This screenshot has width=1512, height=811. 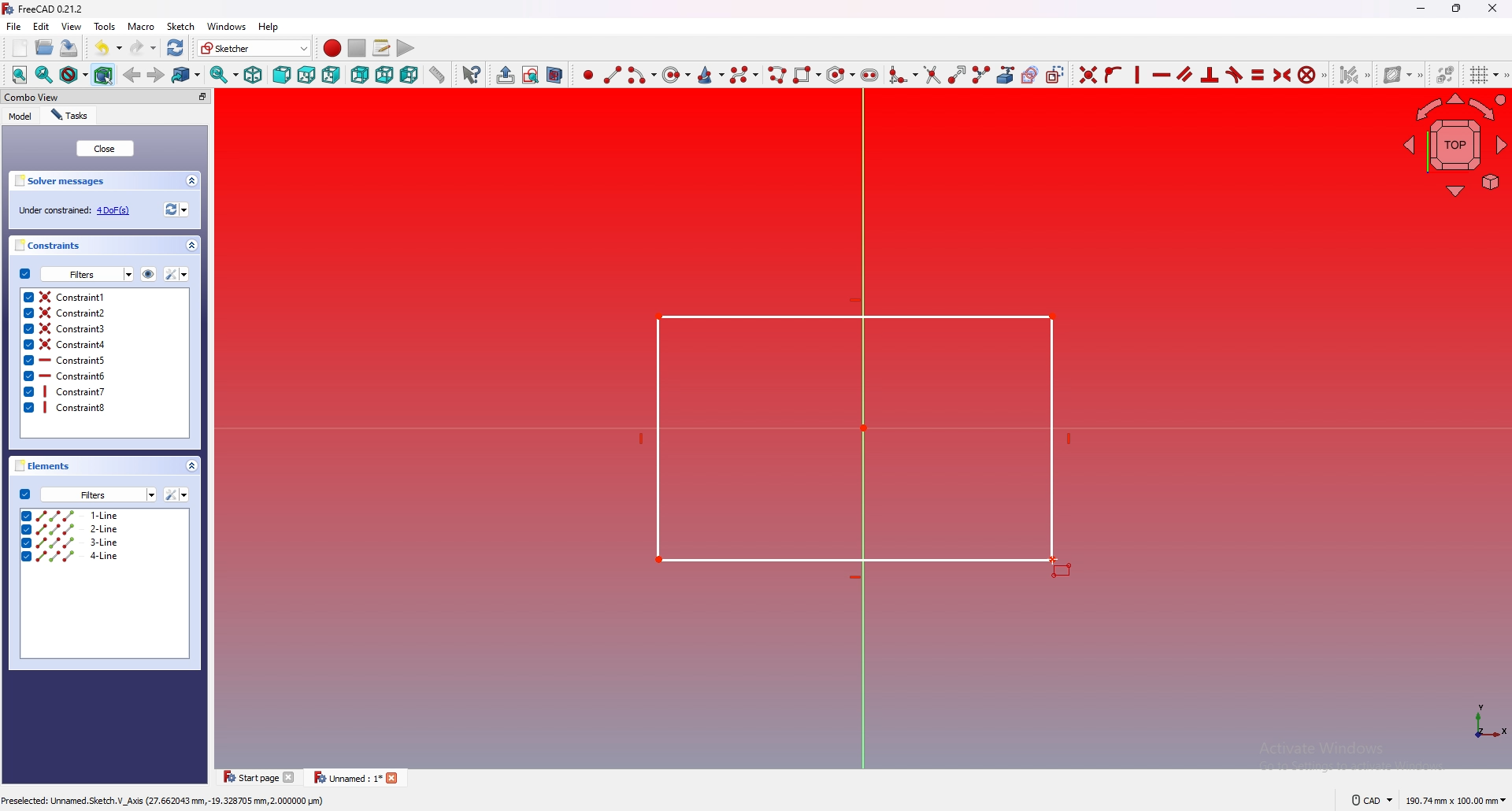 What do you see at coordinates (1006, 75) in the screenshot?
I see `create external geometry` at bounding box center [1006, 75].